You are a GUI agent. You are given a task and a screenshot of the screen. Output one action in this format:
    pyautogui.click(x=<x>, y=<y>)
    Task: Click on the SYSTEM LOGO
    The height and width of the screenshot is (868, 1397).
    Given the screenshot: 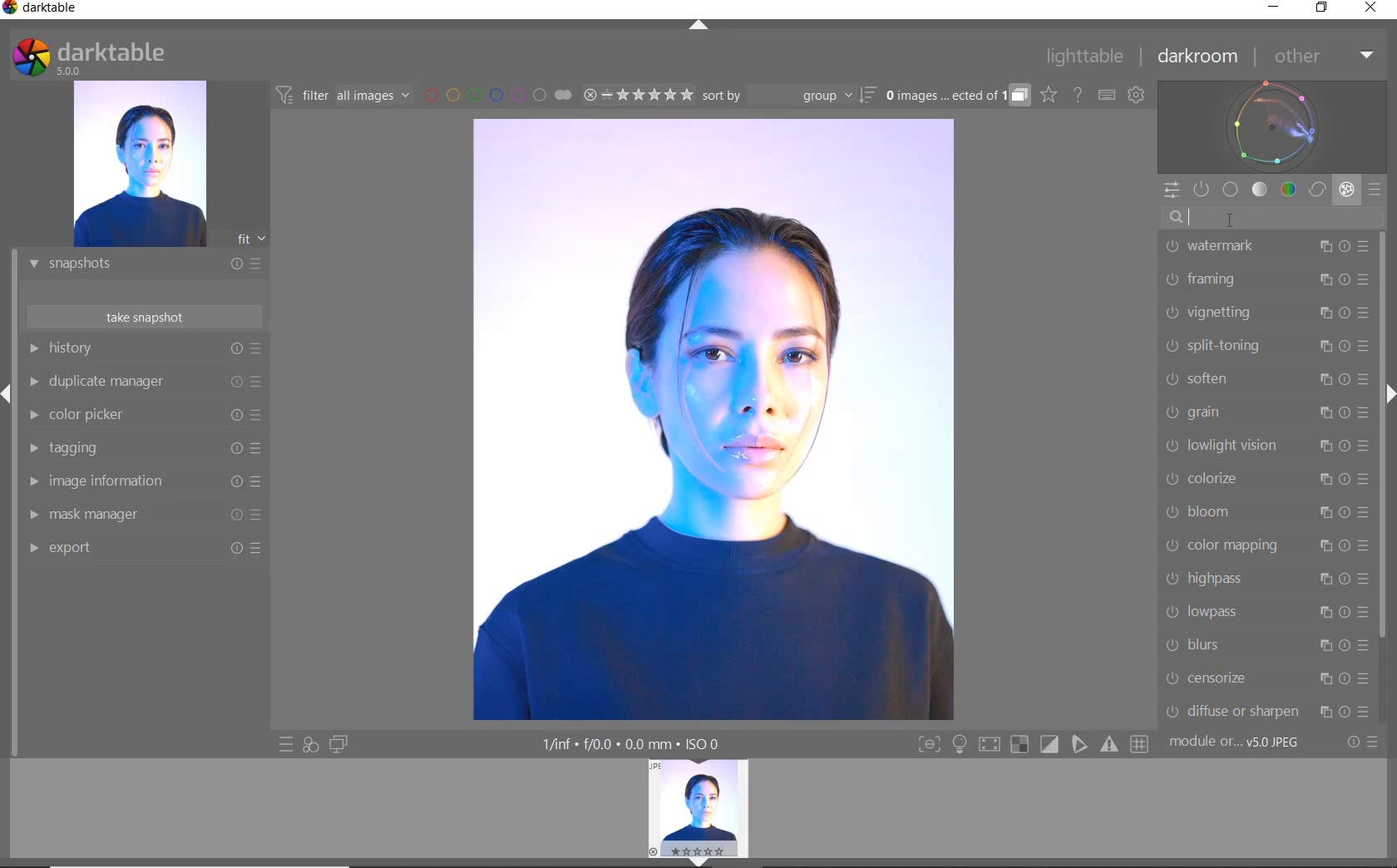 What is the action you would take?
    pyautogui.click(x=88, y=57)
    